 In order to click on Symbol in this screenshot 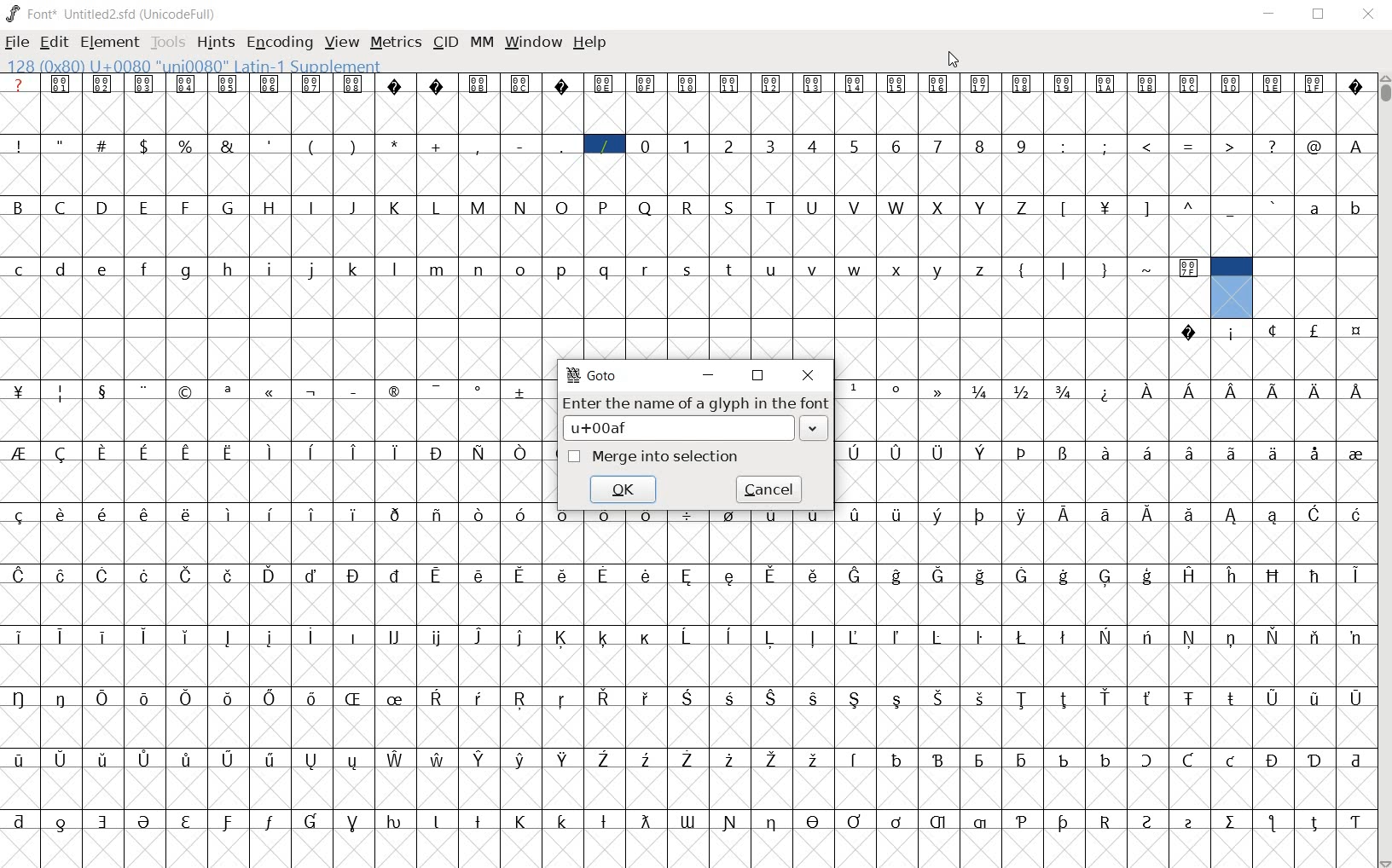, I will do `click(106, 697)`.